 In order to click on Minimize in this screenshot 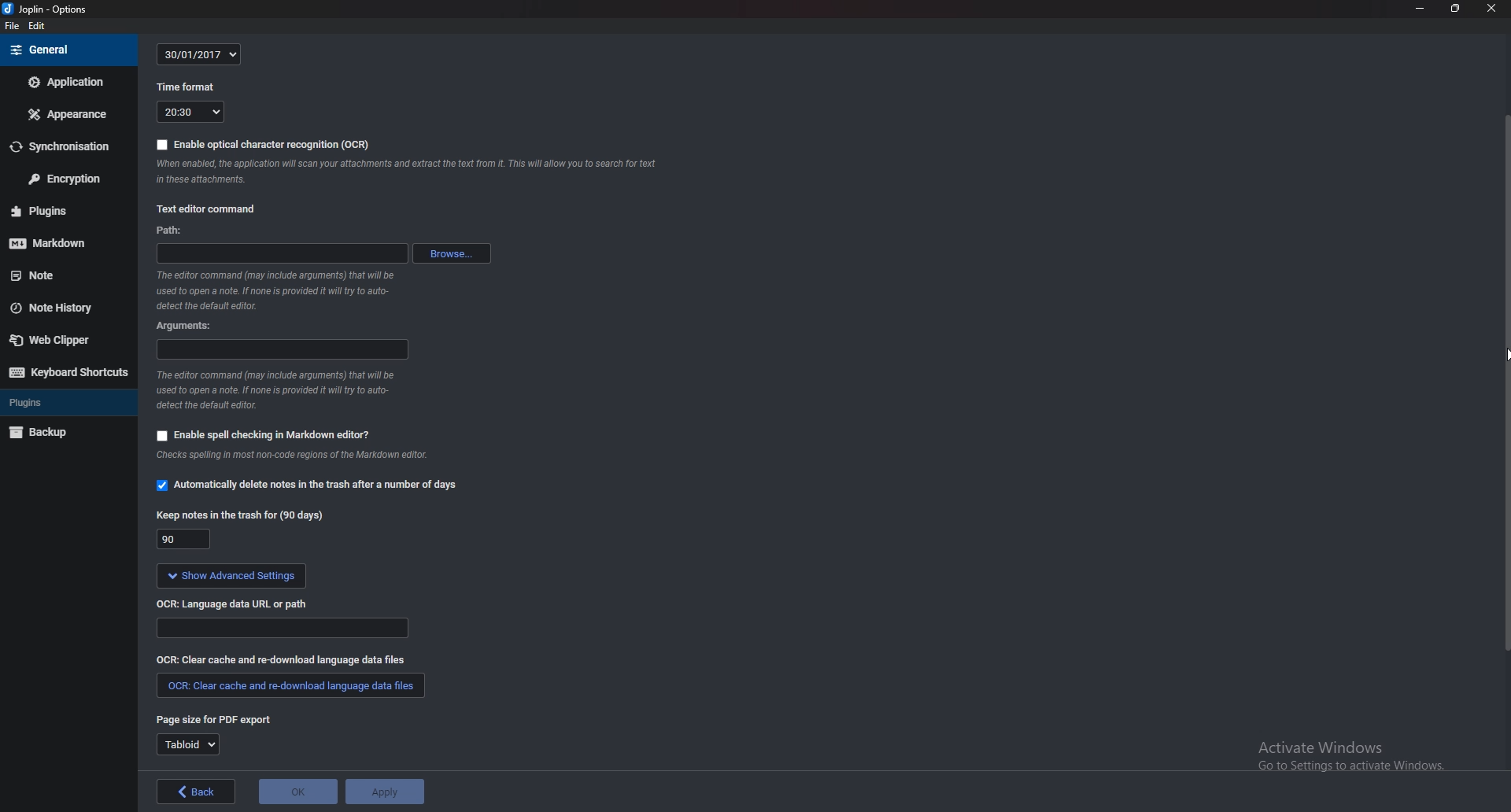, I will do `click(1421, 9)`.